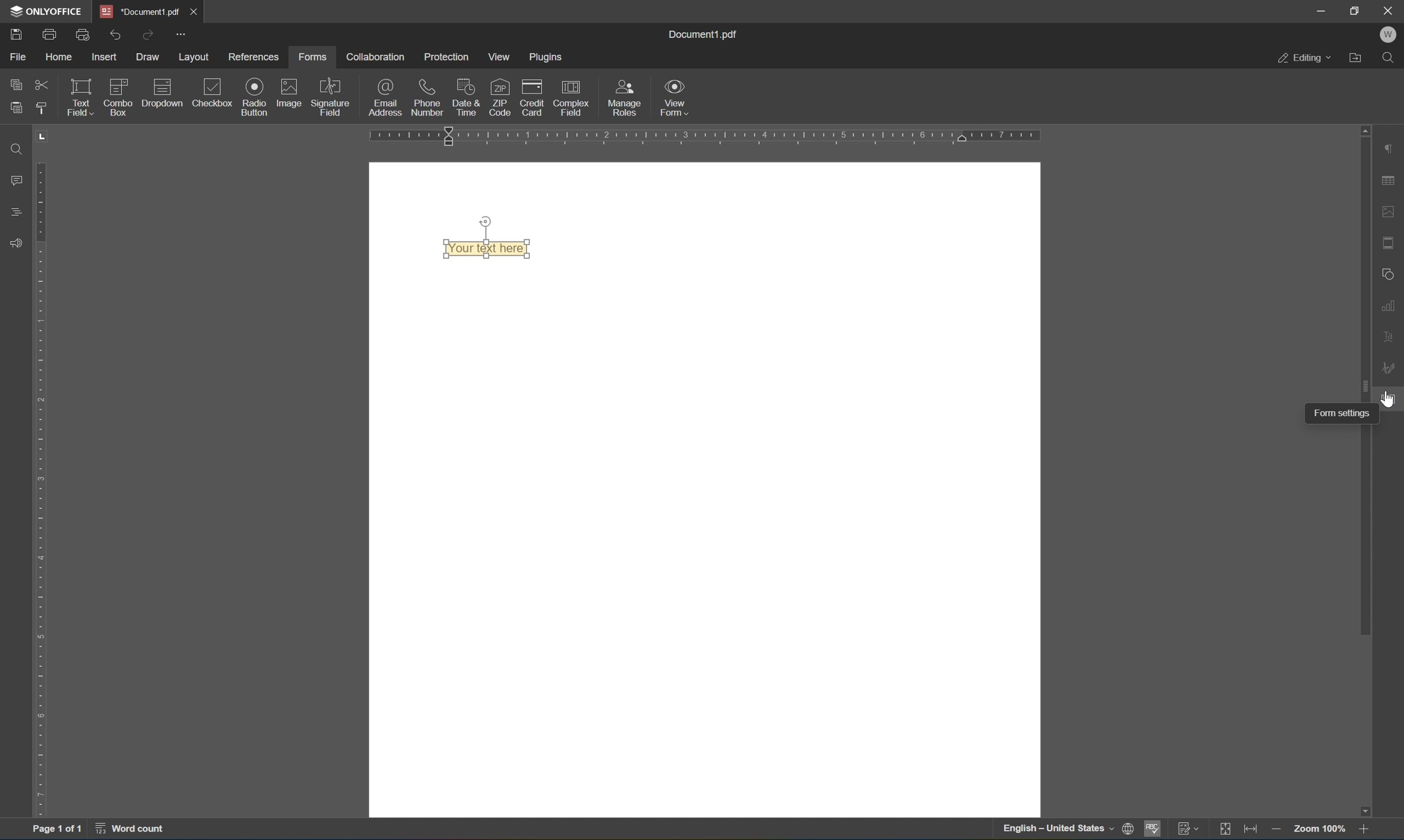 Image resolution: width=1404 pixels, height=840 pixels. Describe the element at coordinates (699, 134) in the screenshot. I see `ruler` at that location.